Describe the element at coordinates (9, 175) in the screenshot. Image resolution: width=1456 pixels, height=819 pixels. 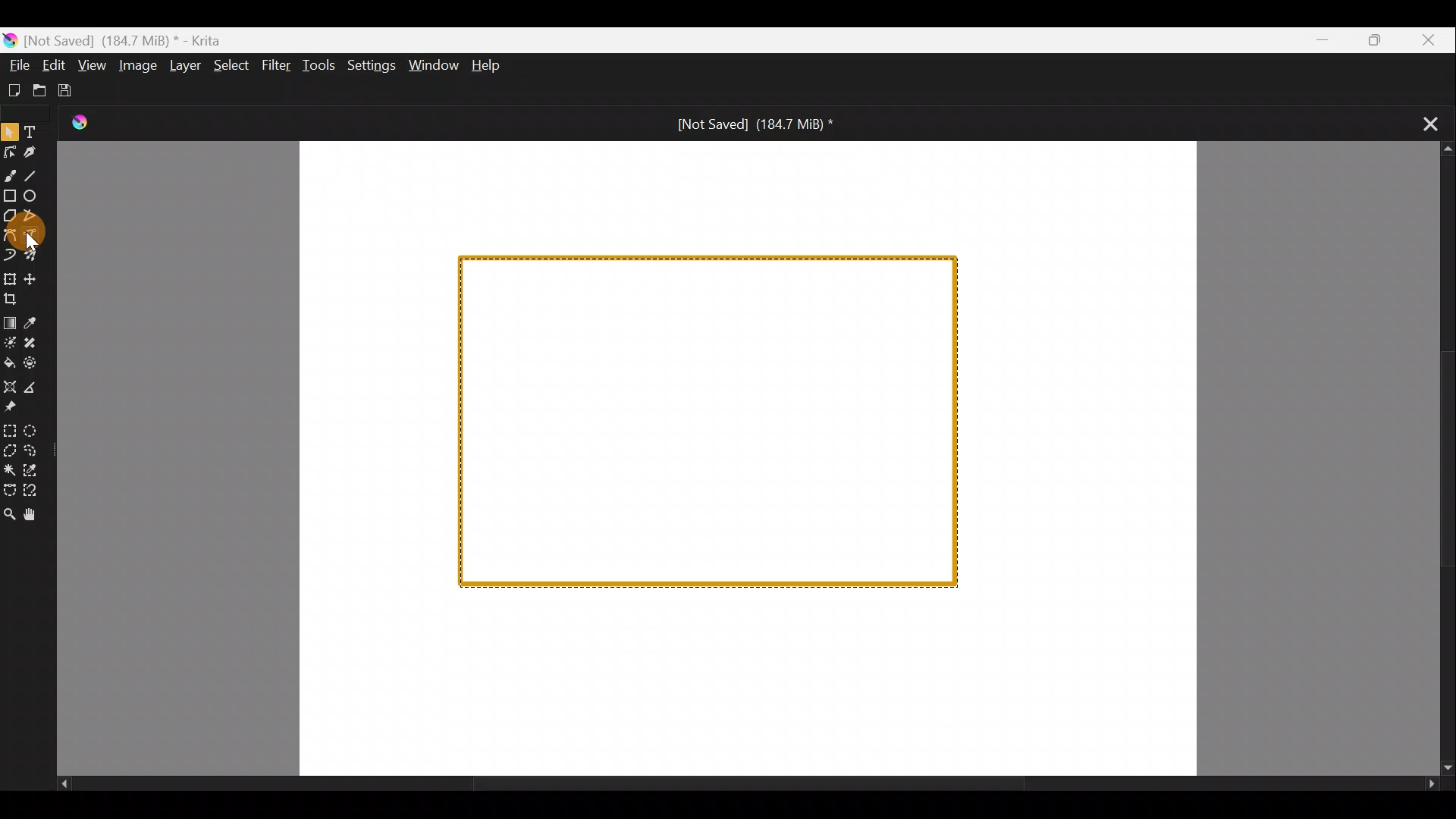
I see `Freehand brush tool` at that location.